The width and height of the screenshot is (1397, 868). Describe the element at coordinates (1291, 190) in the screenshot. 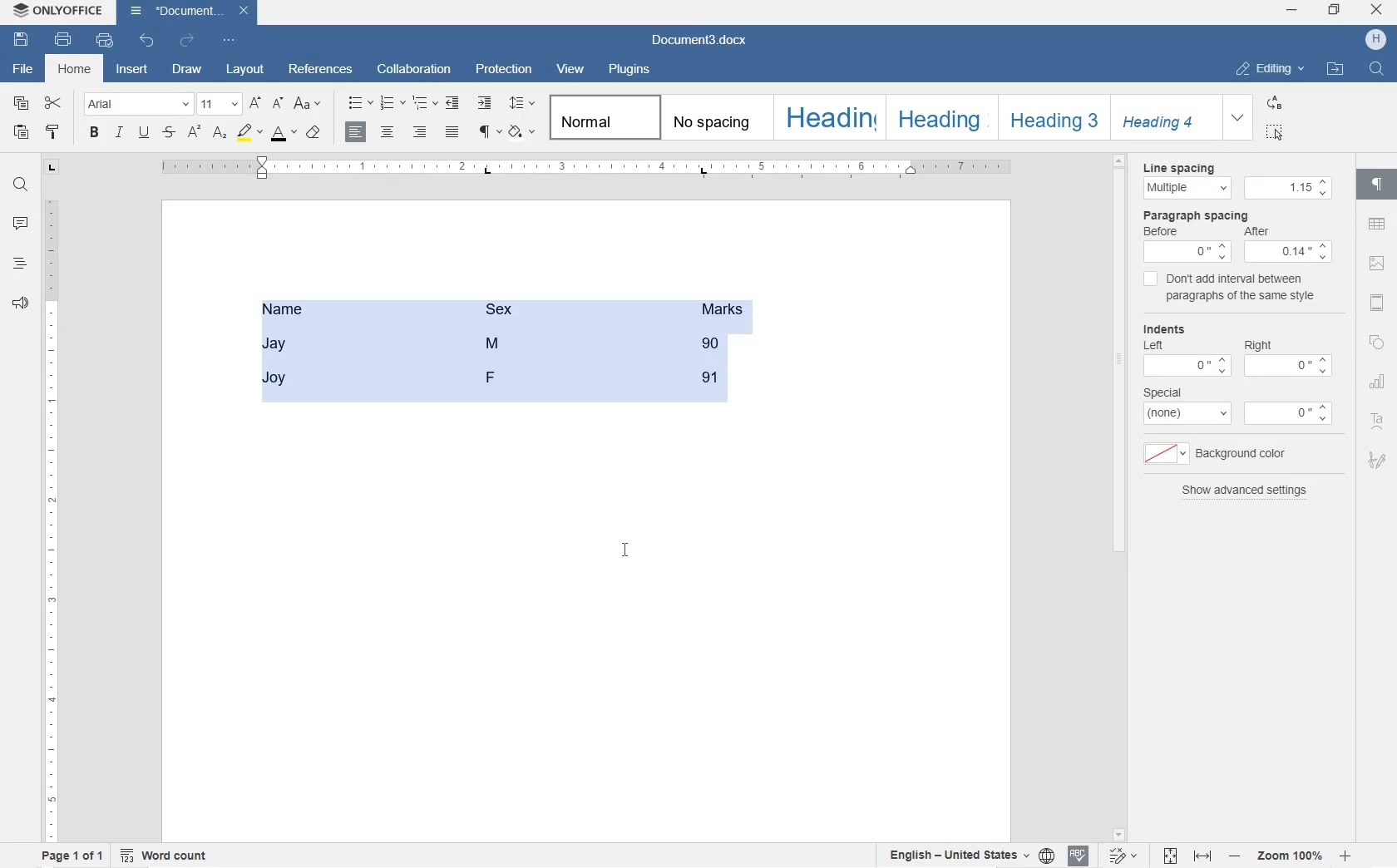

I see `1.15` at that location.